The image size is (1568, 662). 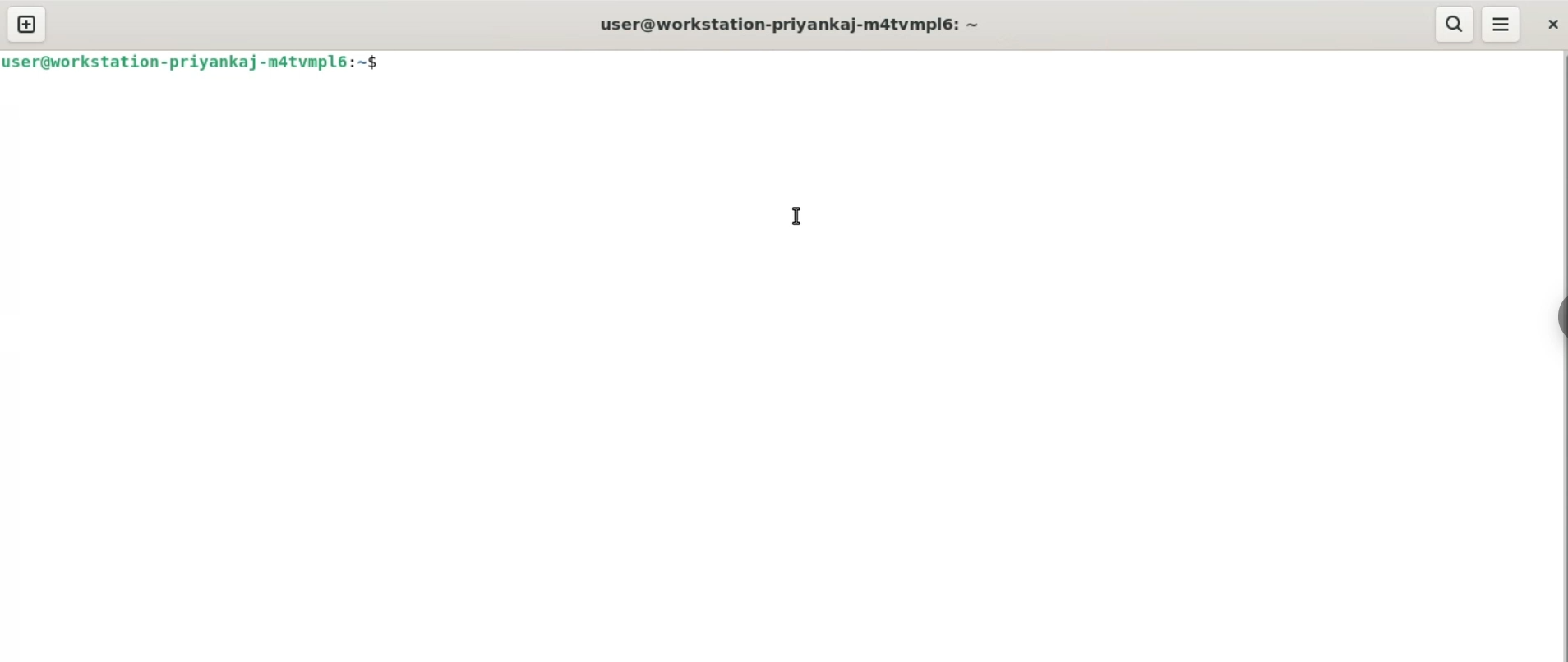 I want to click on close, so click(x=1551, y=25).